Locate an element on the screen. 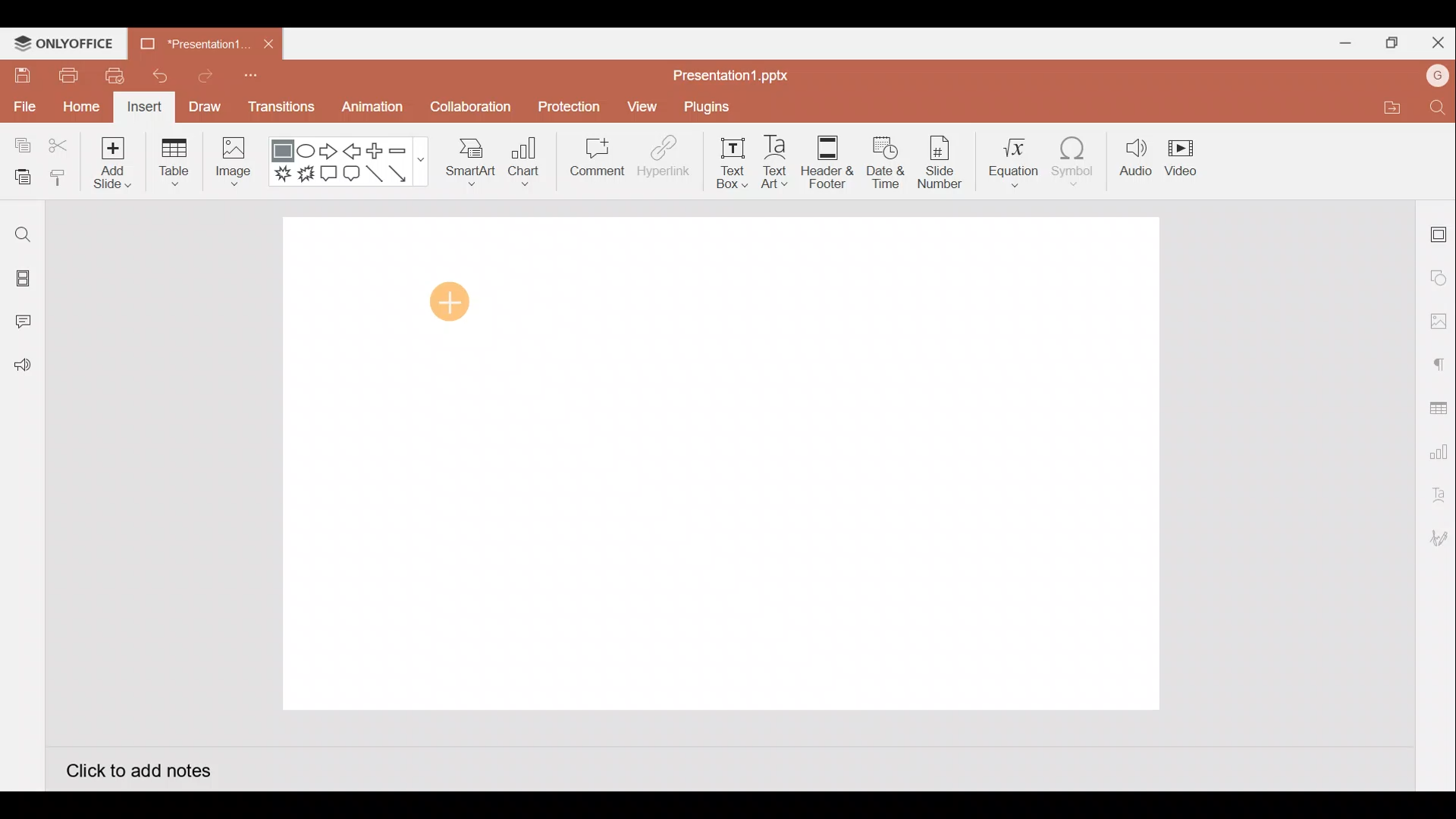  Find is located at coordinates (1439, 107).